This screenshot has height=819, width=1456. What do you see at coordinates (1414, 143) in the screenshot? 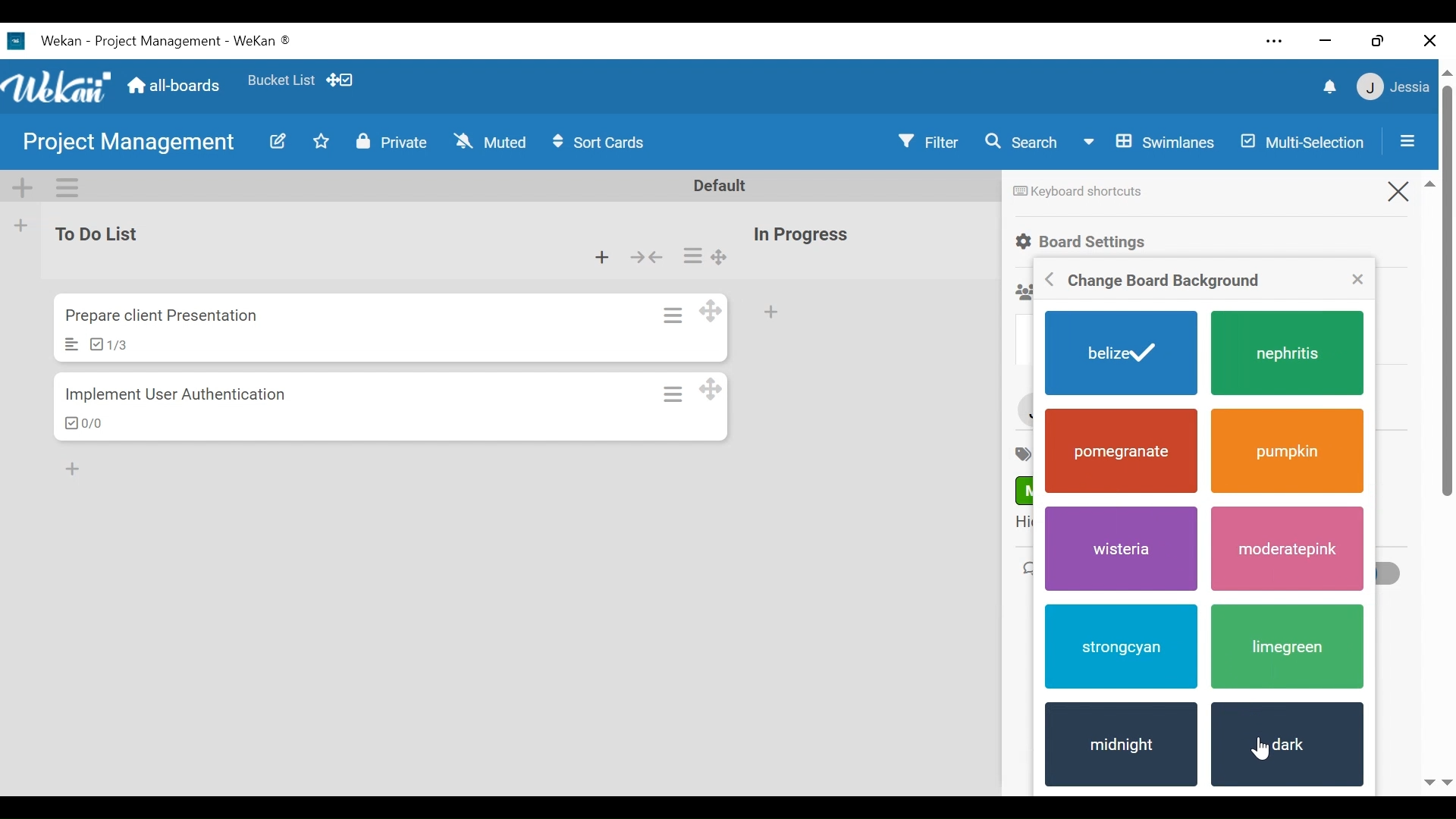
I see `Open/Close Side Pane` at bounding box center [1414, 143].